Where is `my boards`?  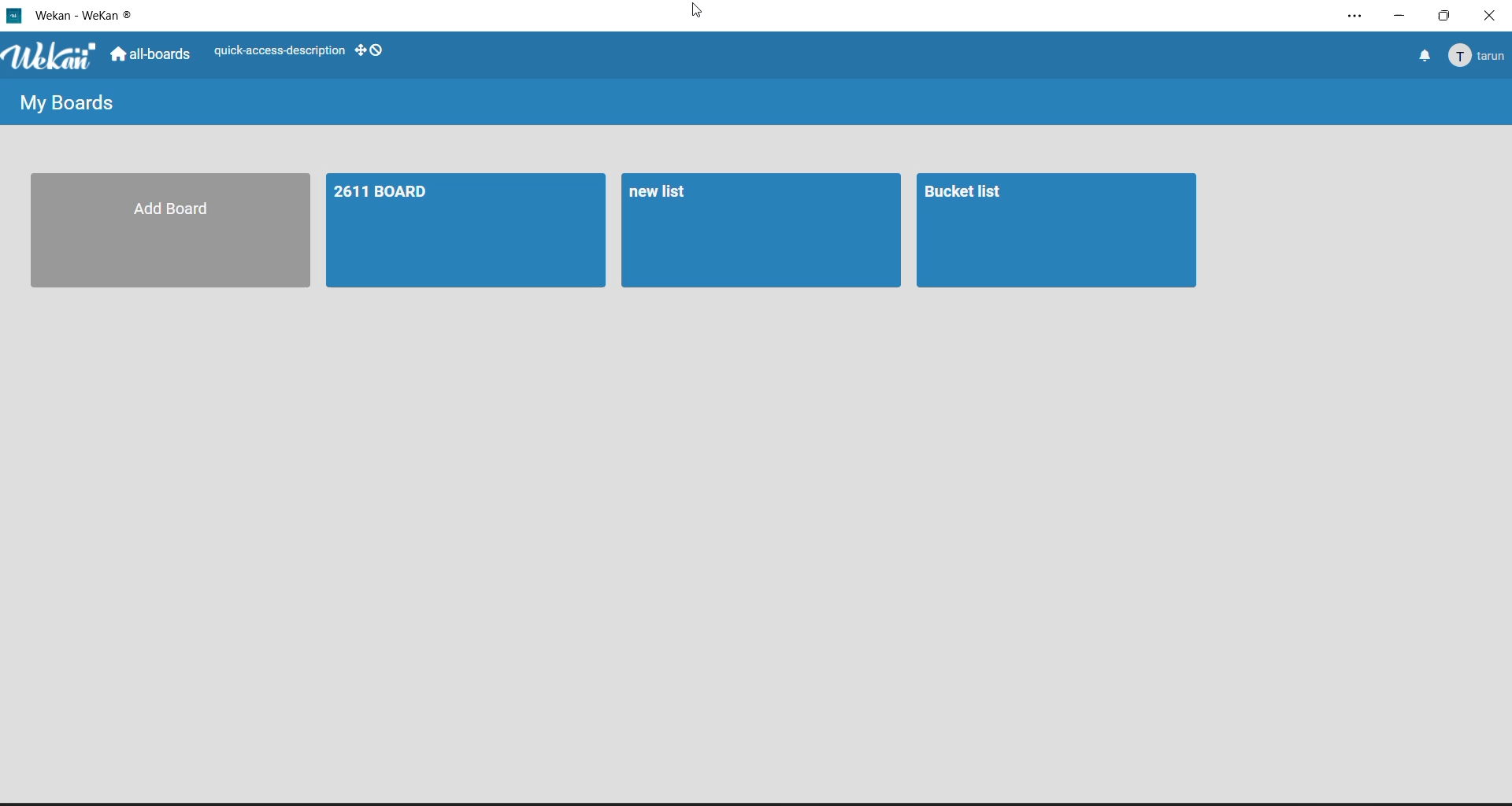
my boards is located at coordinates (65, 105).